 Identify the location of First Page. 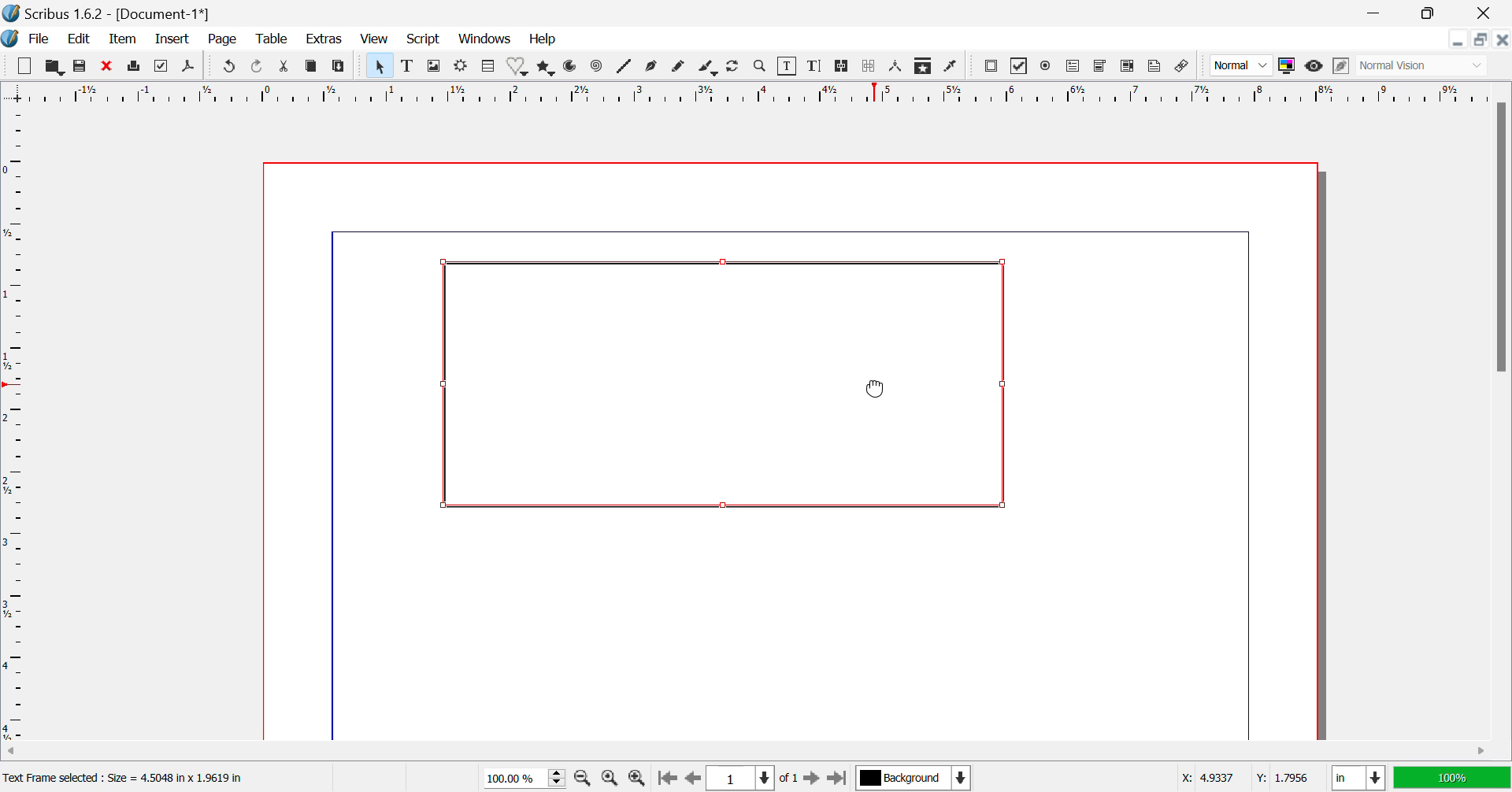
(666, 778).